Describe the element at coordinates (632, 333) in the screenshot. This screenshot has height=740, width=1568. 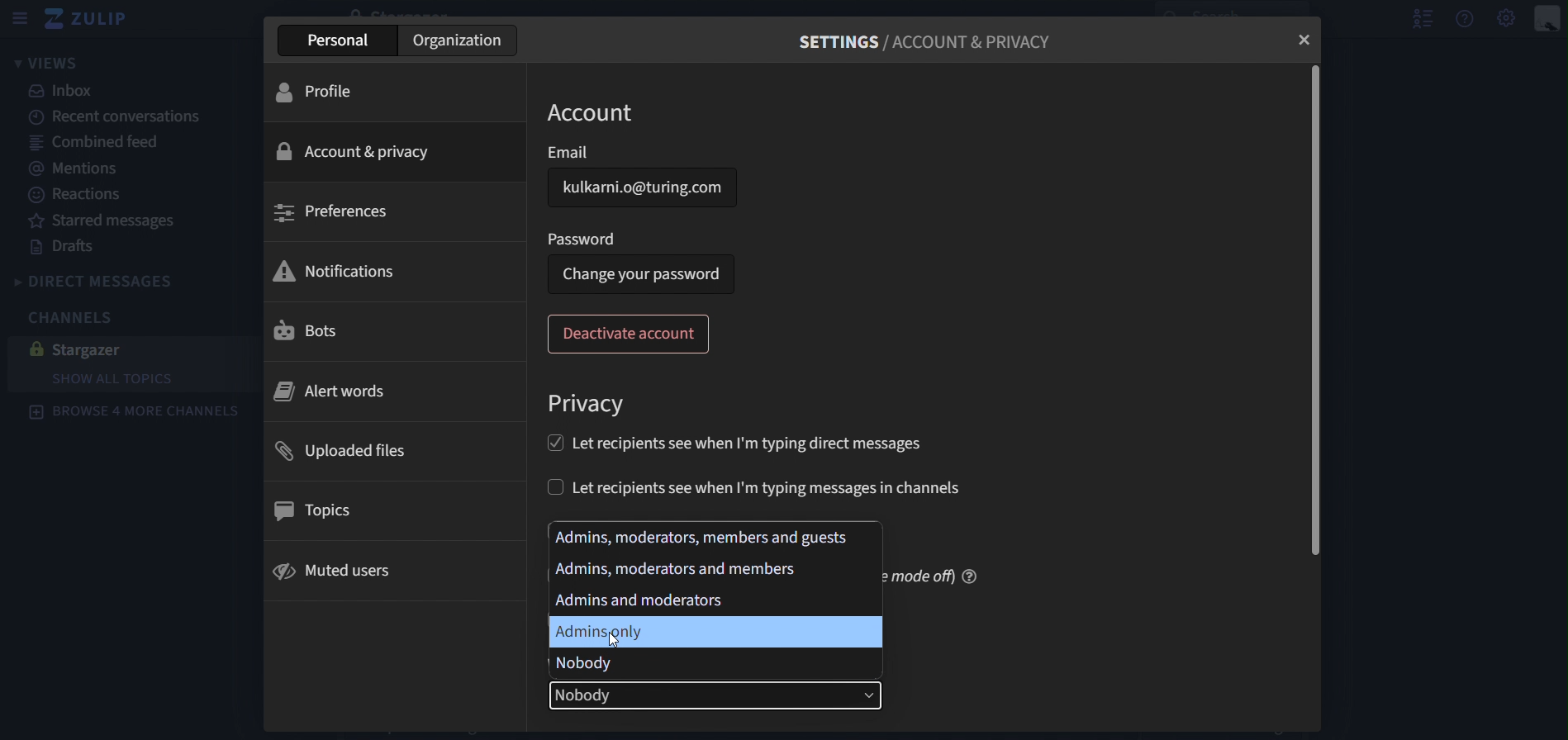
I see `deactivate account` at that location.